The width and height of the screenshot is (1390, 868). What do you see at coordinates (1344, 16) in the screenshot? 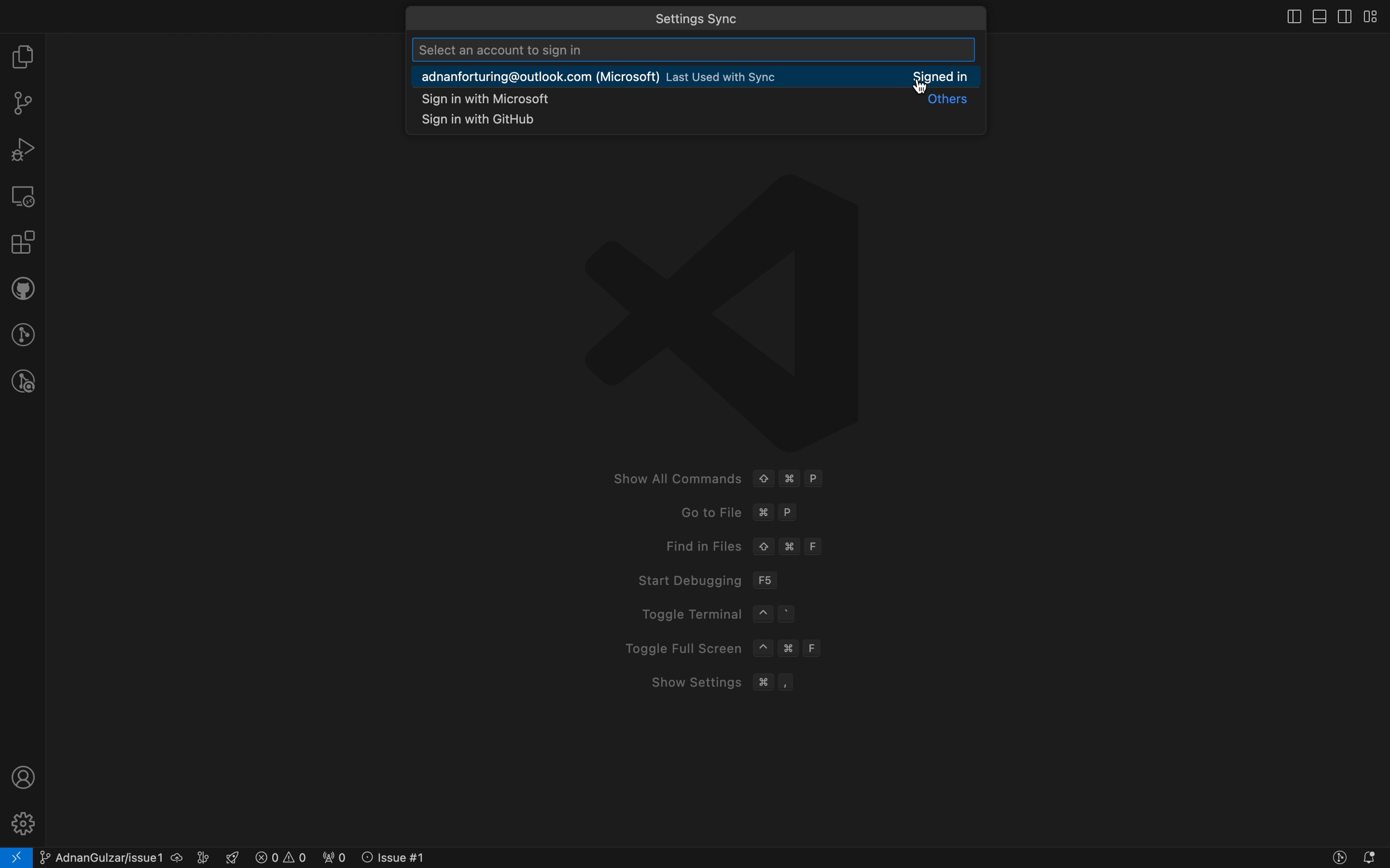
I see `toggle secondary bar` at bounding box center [1344, 16].